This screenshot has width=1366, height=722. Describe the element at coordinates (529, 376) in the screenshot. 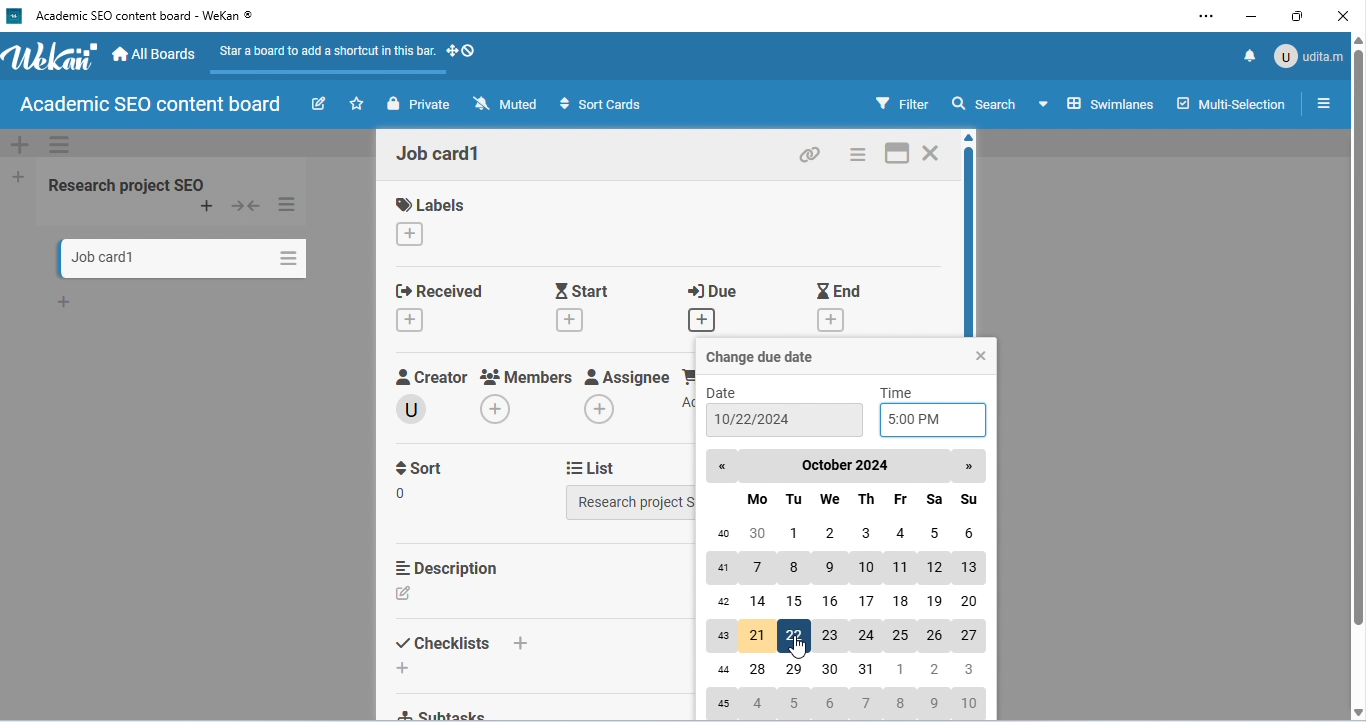

I see `members` at that location.